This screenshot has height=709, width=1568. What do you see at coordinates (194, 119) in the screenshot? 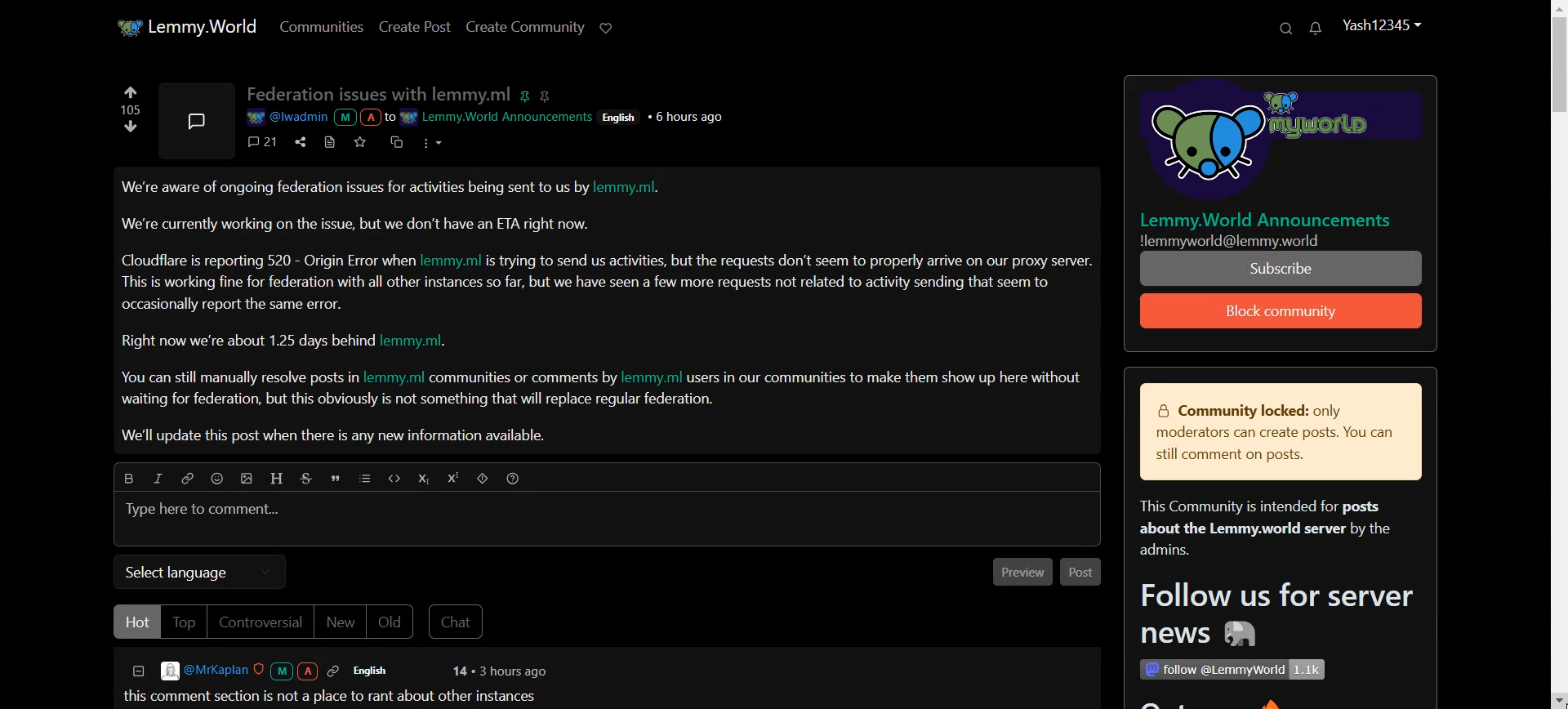
I see `Picture` at bounding box center [194, 119].